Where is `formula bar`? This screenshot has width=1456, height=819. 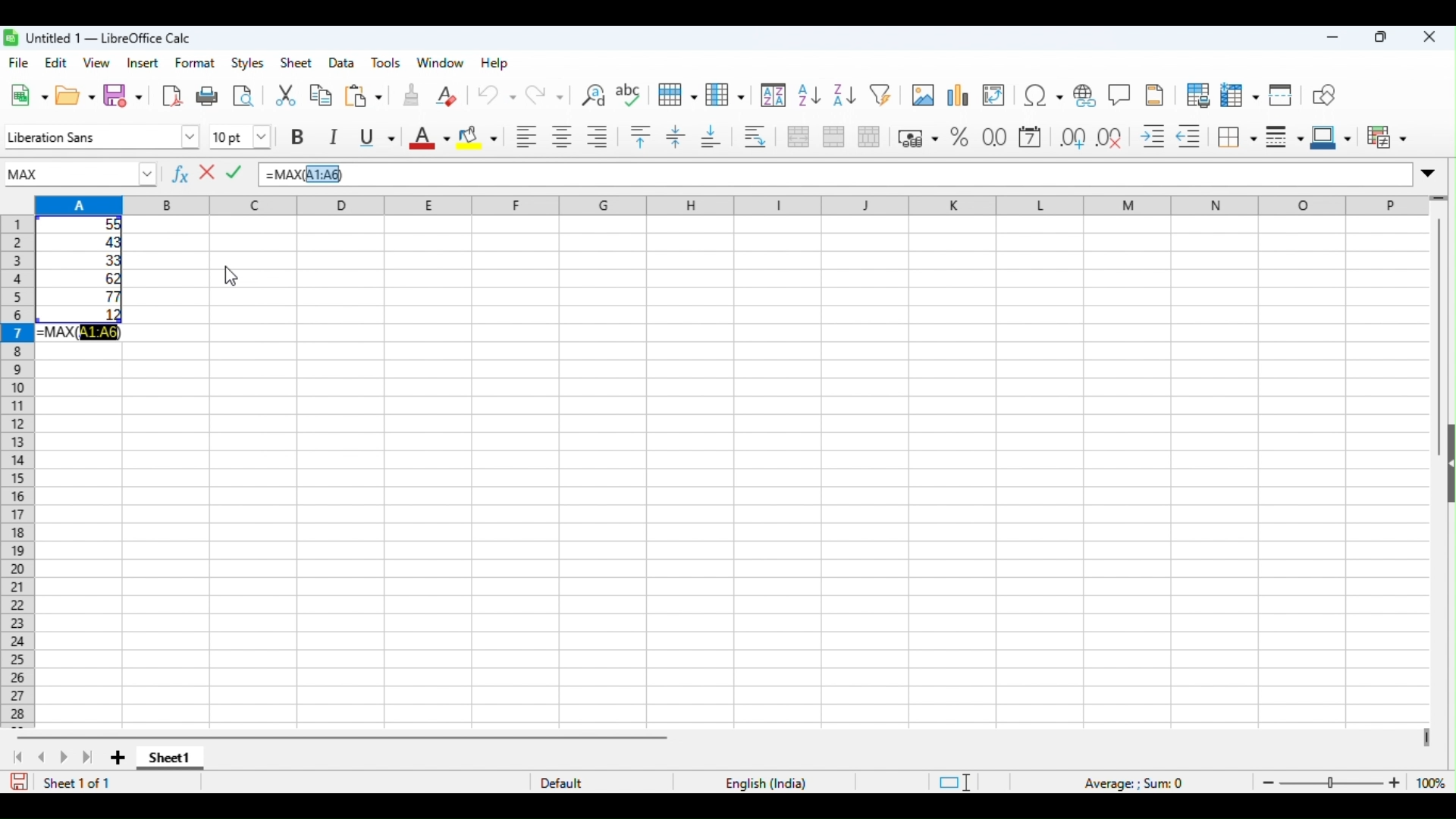 formula bar is located at coordinates (879, 174).